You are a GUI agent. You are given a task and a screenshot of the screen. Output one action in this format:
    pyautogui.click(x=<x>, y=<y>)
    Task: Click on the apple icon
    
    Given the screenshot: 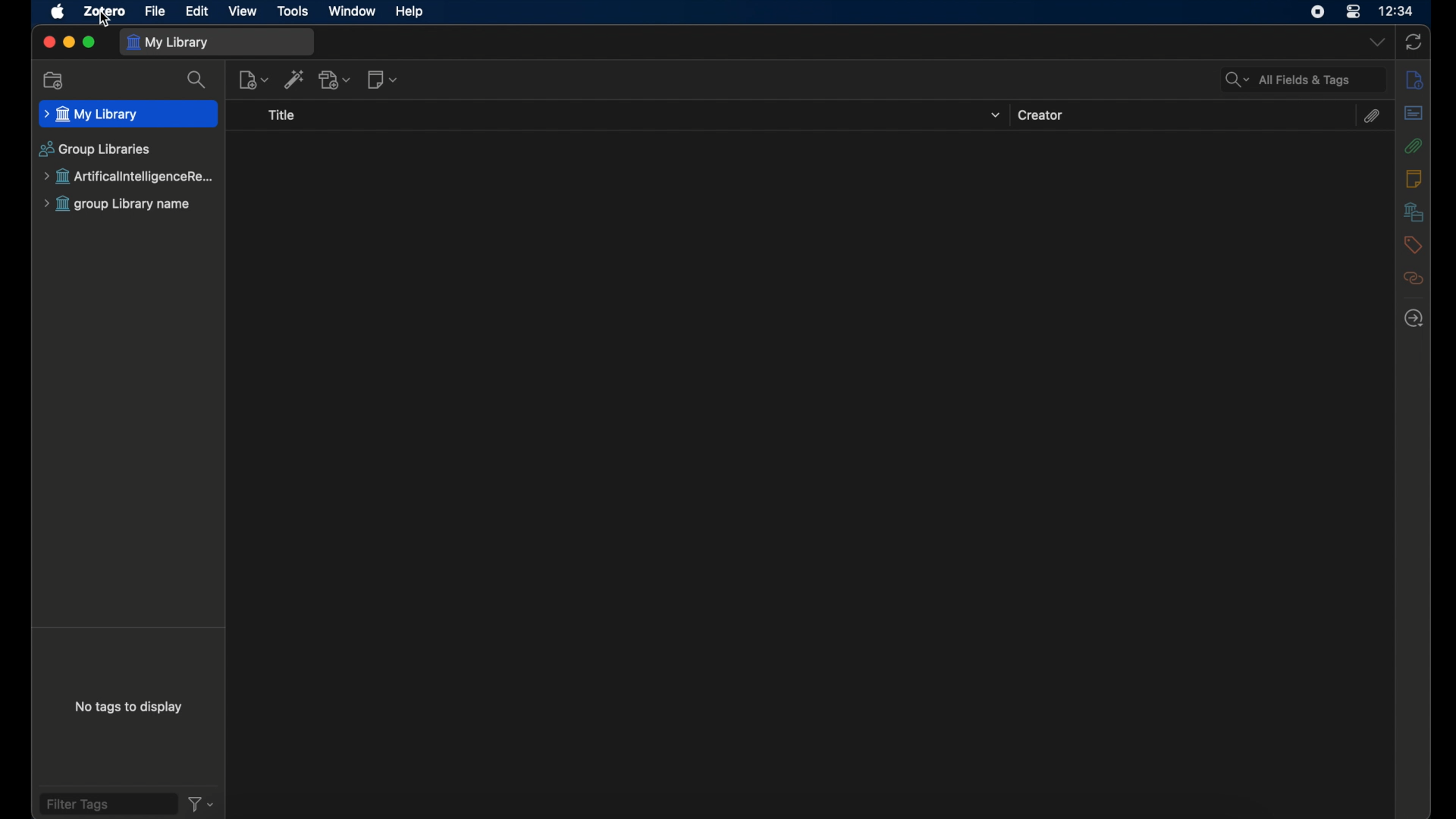 What is the action you would take?
    pyautogui.click(x=57, y=12)
    